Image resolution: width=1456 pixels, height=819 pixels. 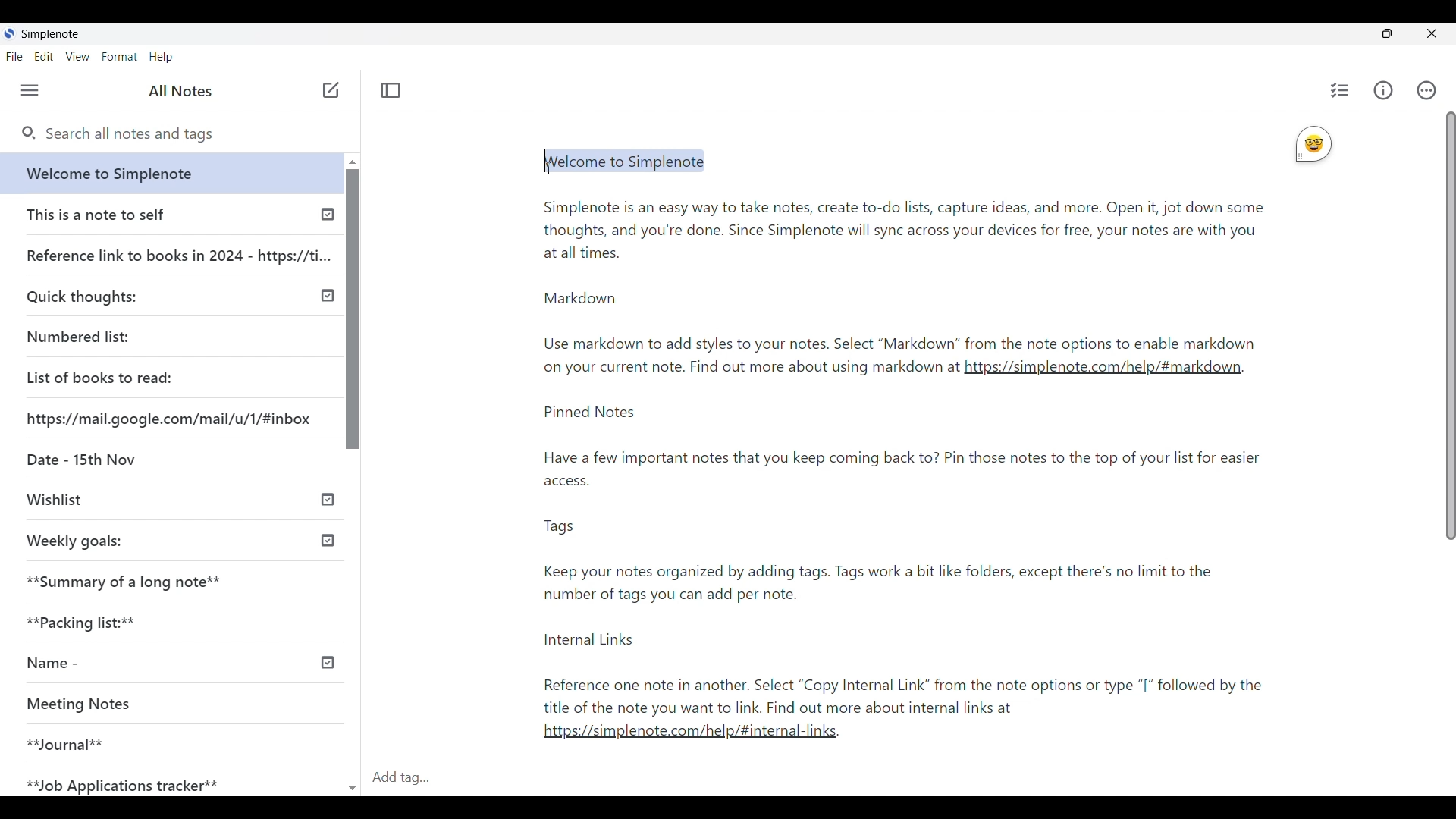 I want to click on Actions, so click(x=1427, y=90).